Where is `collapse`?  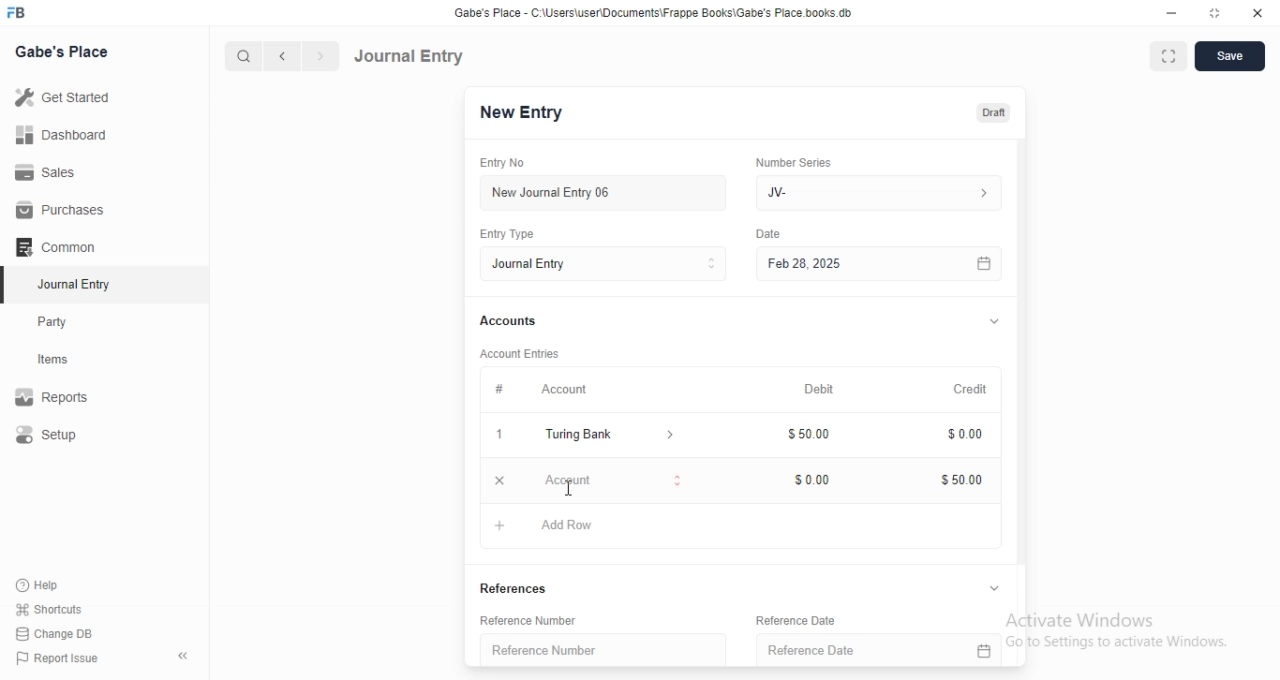 collapse is located at coordinates (993, 323).